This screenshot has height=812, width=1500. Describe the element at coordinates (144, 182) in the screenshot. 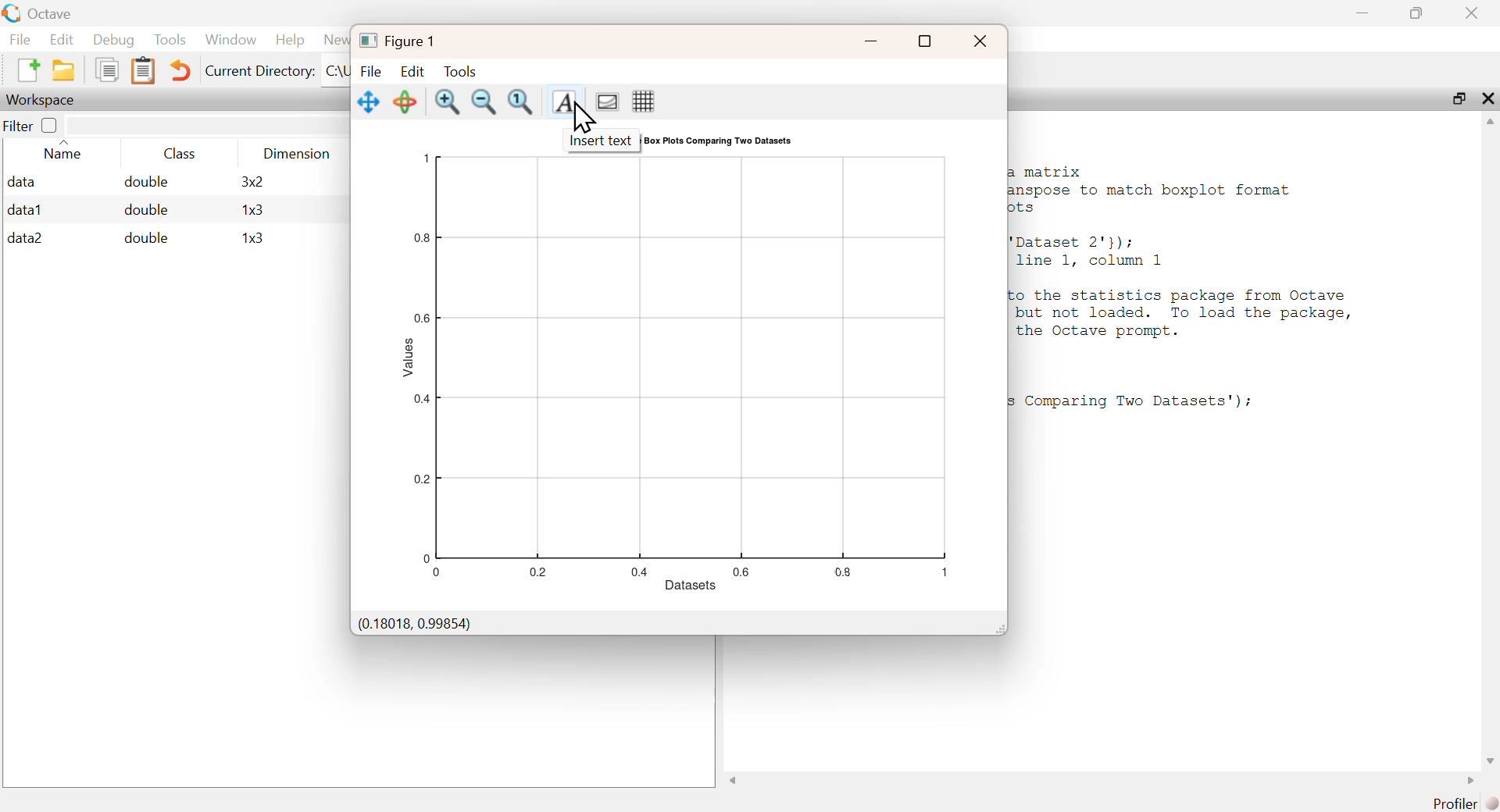

I see `double` at that location.